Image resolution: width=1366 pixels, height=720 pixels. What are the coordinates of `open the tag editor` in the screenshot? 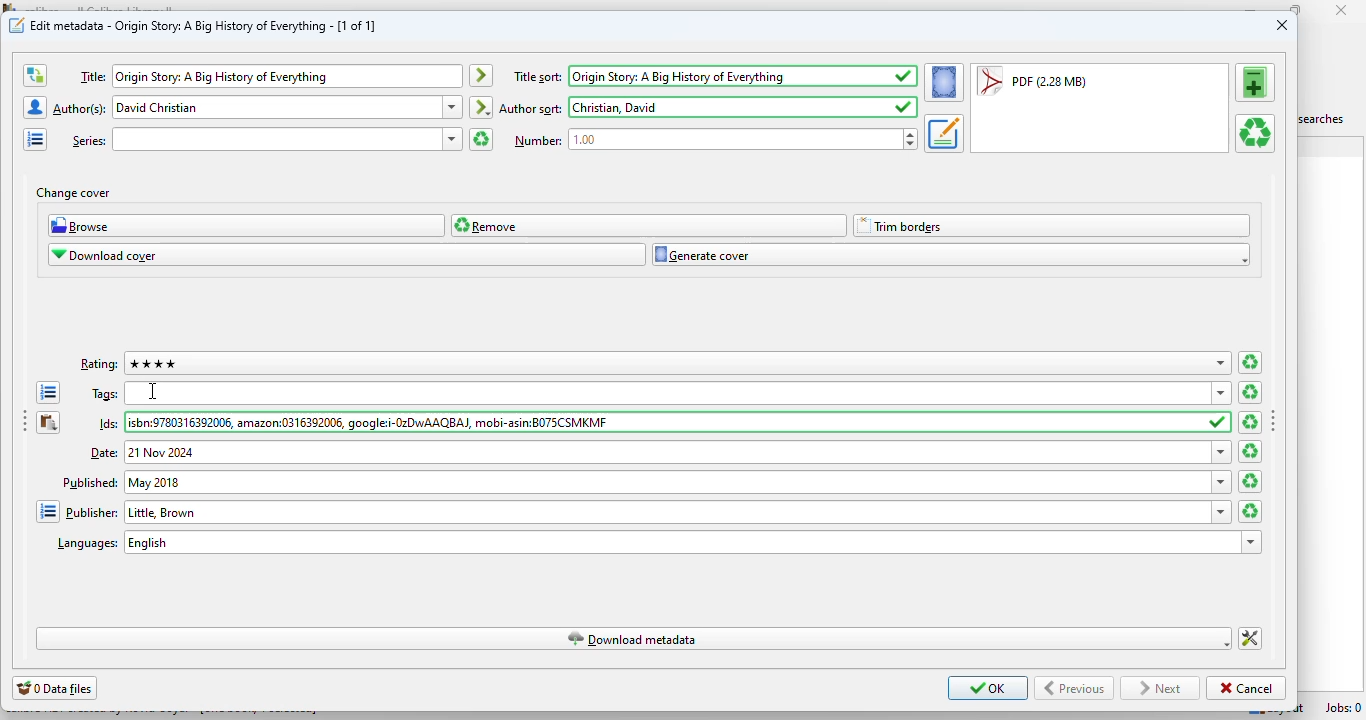 It's located at (47, 393).